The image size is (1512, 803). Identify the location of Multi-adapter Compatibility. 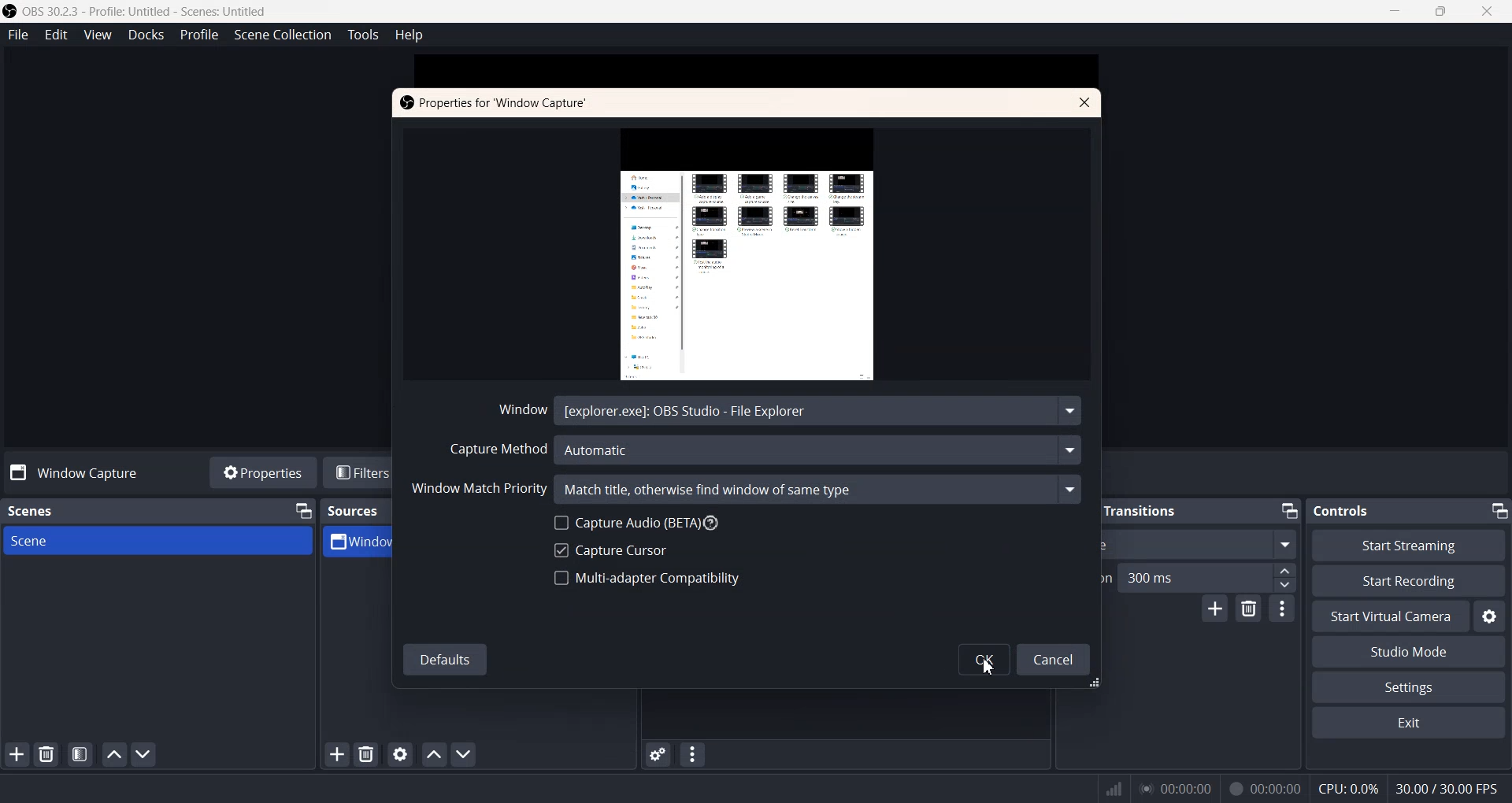
(650, 577).